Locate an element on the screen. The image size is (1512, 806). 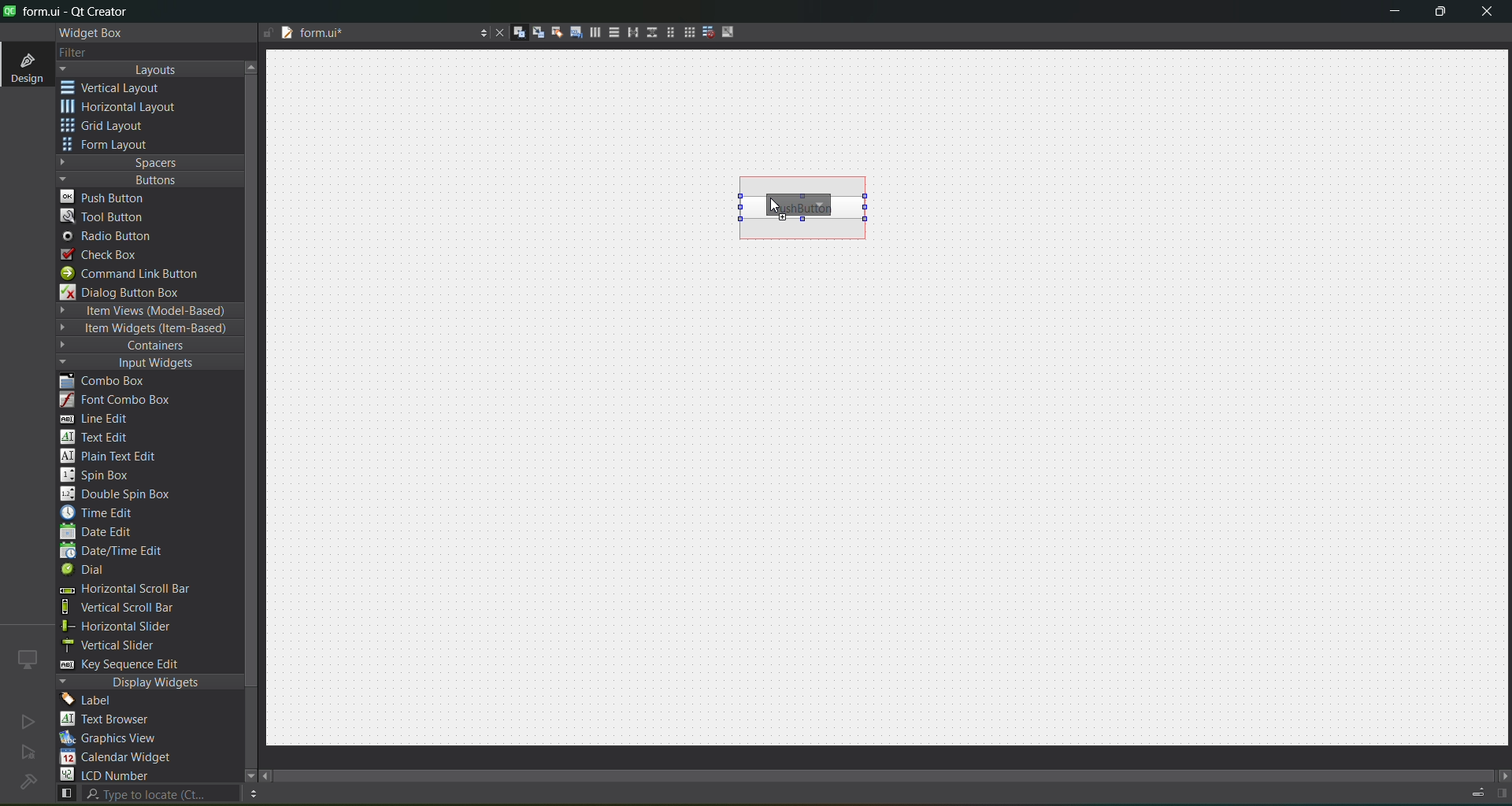
label is located at coordinates (91, 701).